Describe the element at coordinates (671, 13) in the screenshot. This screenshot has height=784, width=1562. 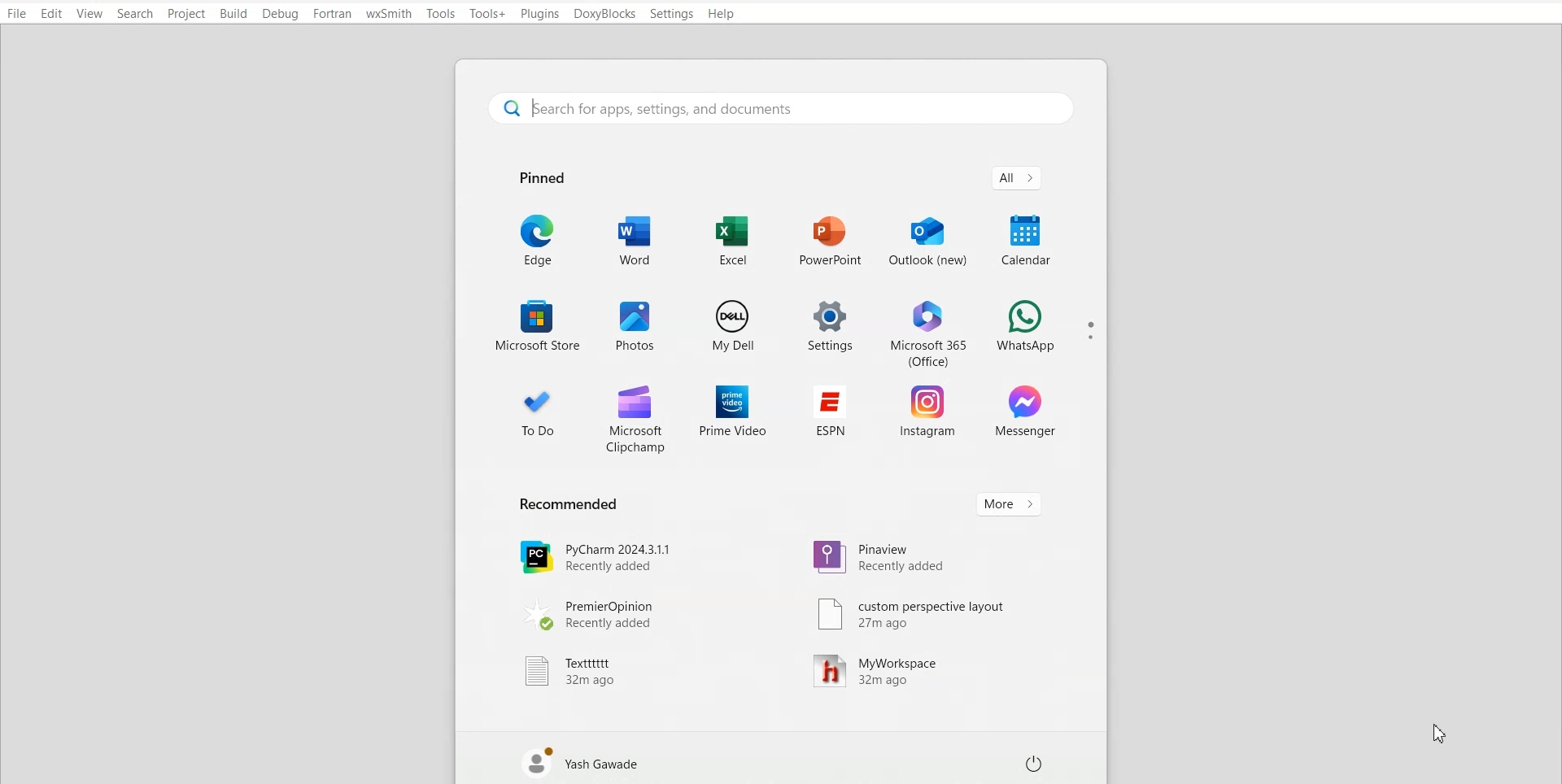
I see `Settings` at that location.